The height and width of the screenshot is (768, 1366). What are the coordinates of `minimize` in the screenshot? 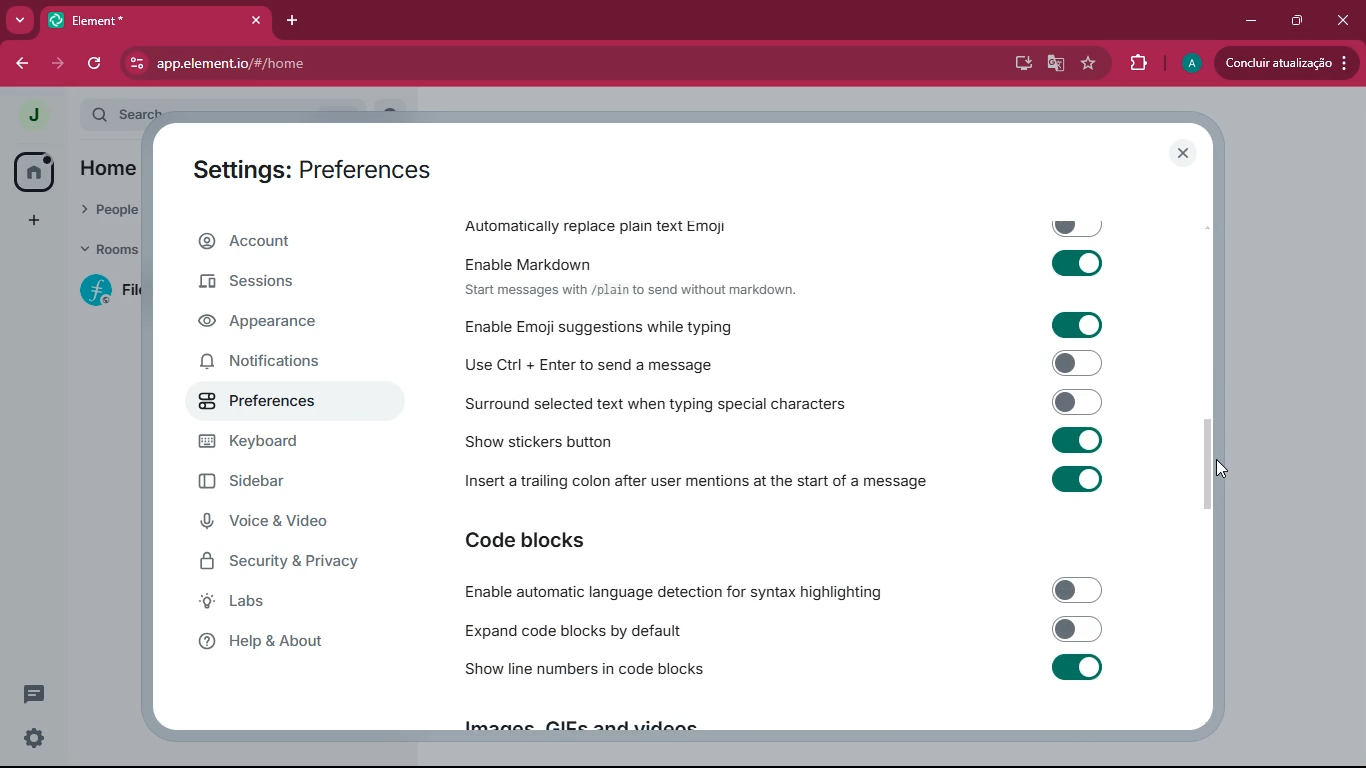 It's located at (1250, 21).